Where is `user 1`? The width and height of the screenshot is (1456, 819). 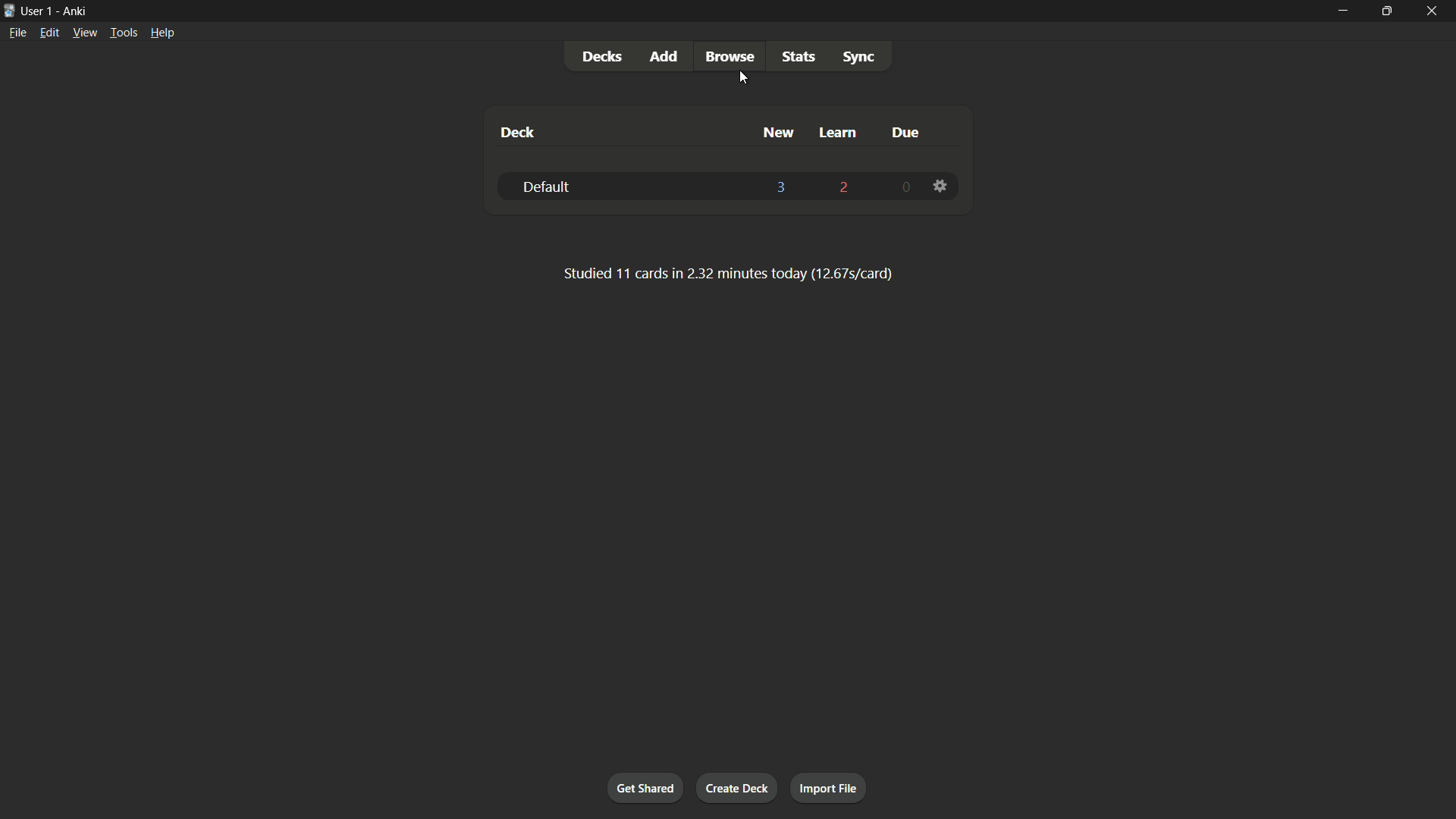 user 1 is located at coordinates (38, 11).